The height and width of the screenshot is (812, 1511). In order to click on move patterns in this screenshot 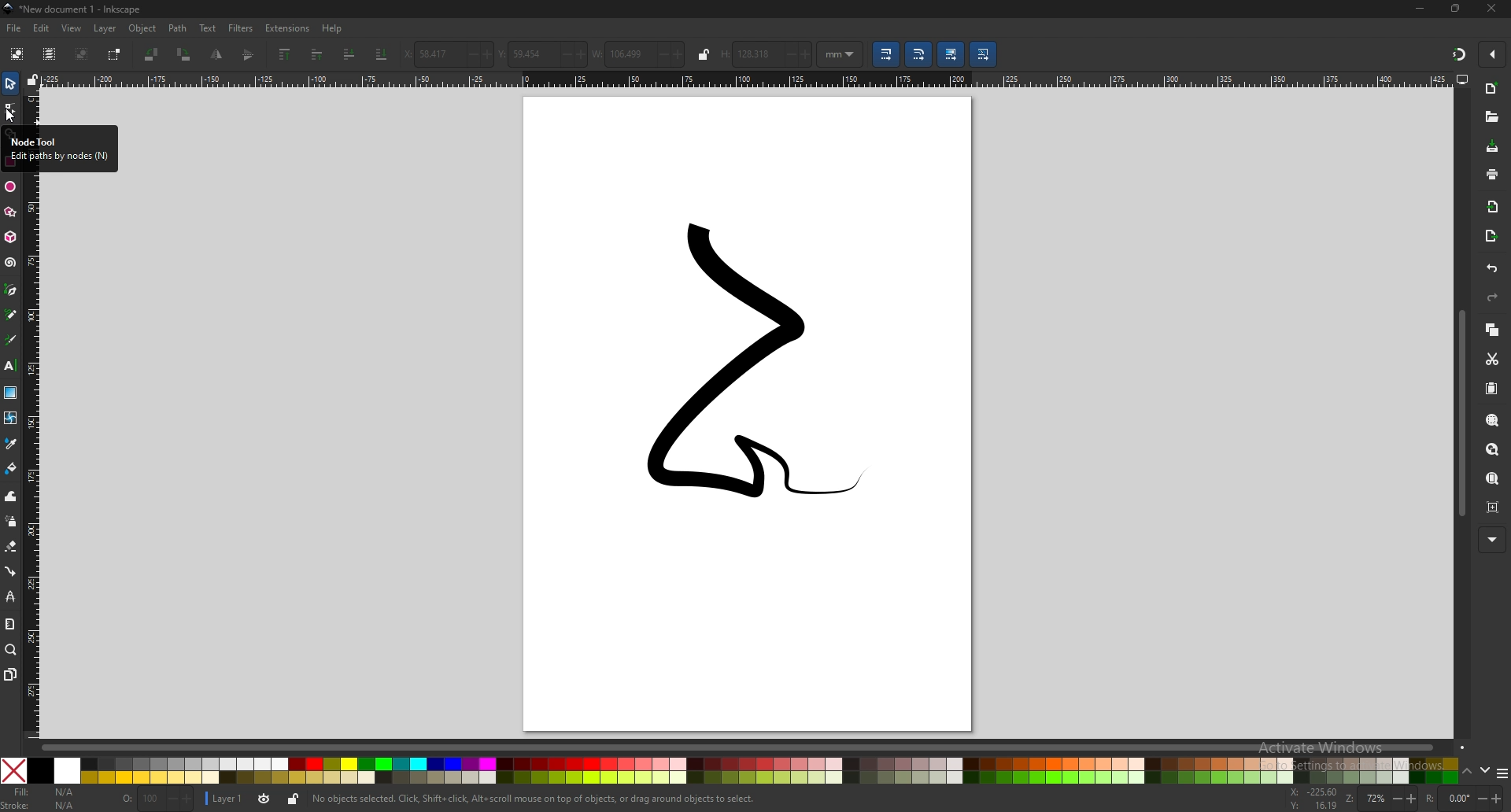, I will do `click(984, 54)`.